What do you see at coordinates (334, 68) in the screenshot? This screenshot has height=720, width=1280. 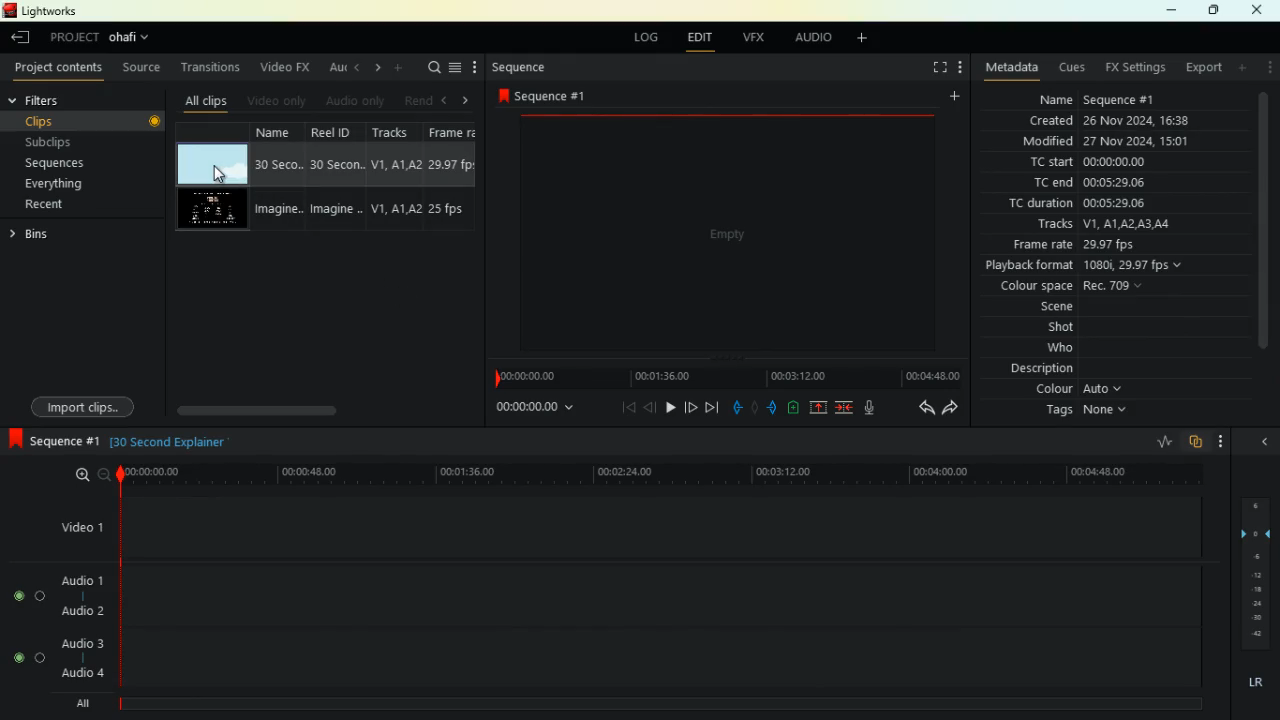 I see `au` at bounding box center [334, 68].